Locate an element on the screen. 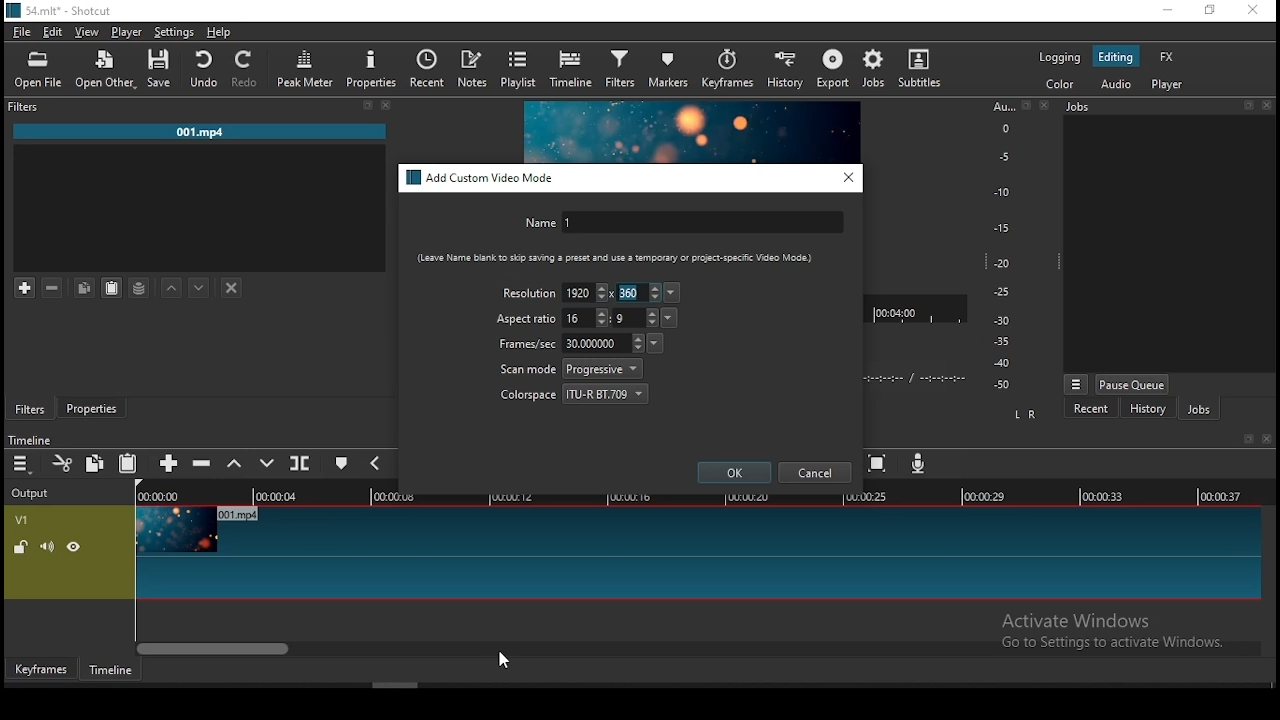 This screenshot has width=1280, height=720. restore is located at coordinates (1208, 11).